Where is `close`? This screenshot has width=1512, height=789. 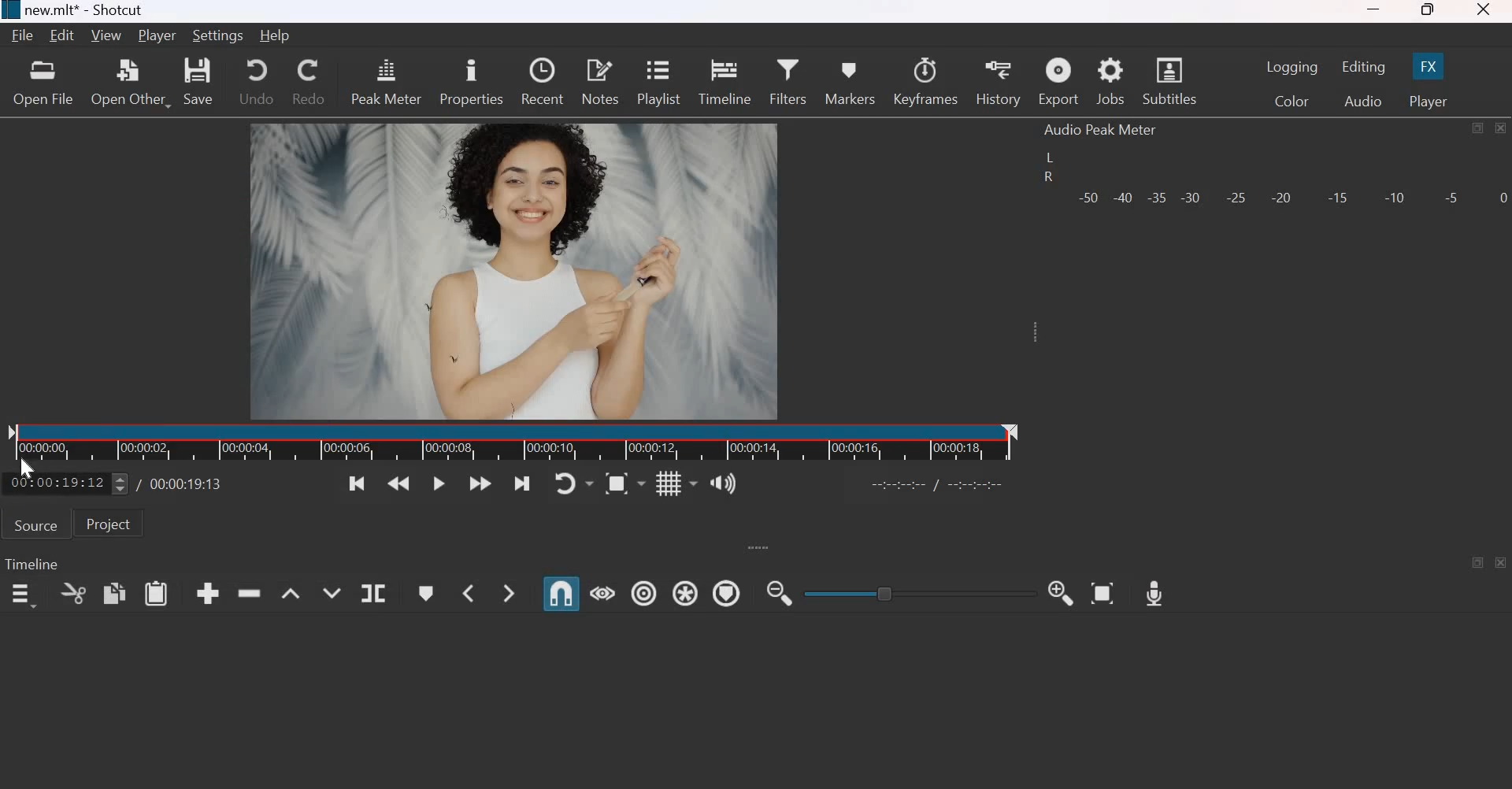
close is located at coordinates (1482, 12).